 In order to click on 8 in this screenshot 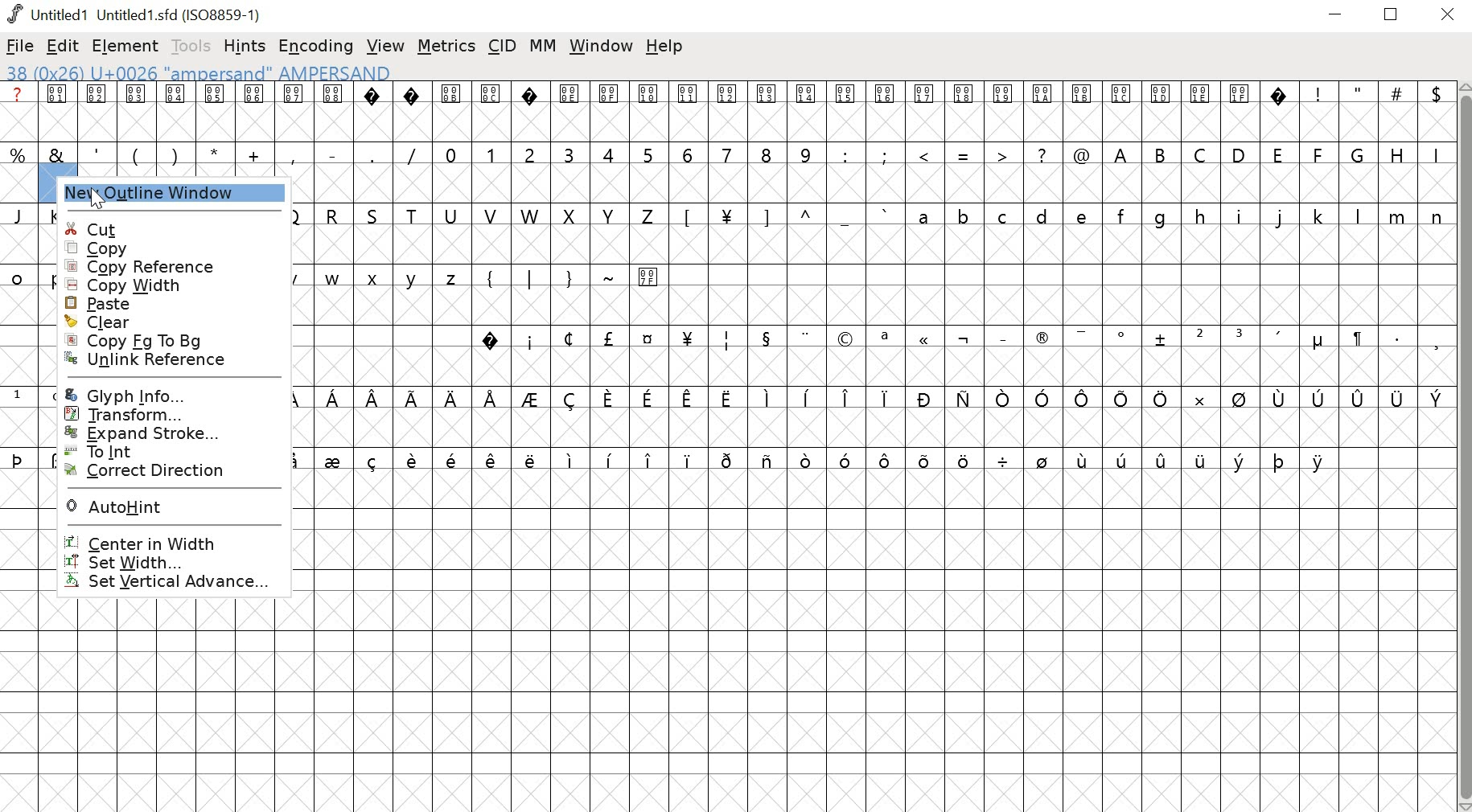, I will do `click(767, 153)`.